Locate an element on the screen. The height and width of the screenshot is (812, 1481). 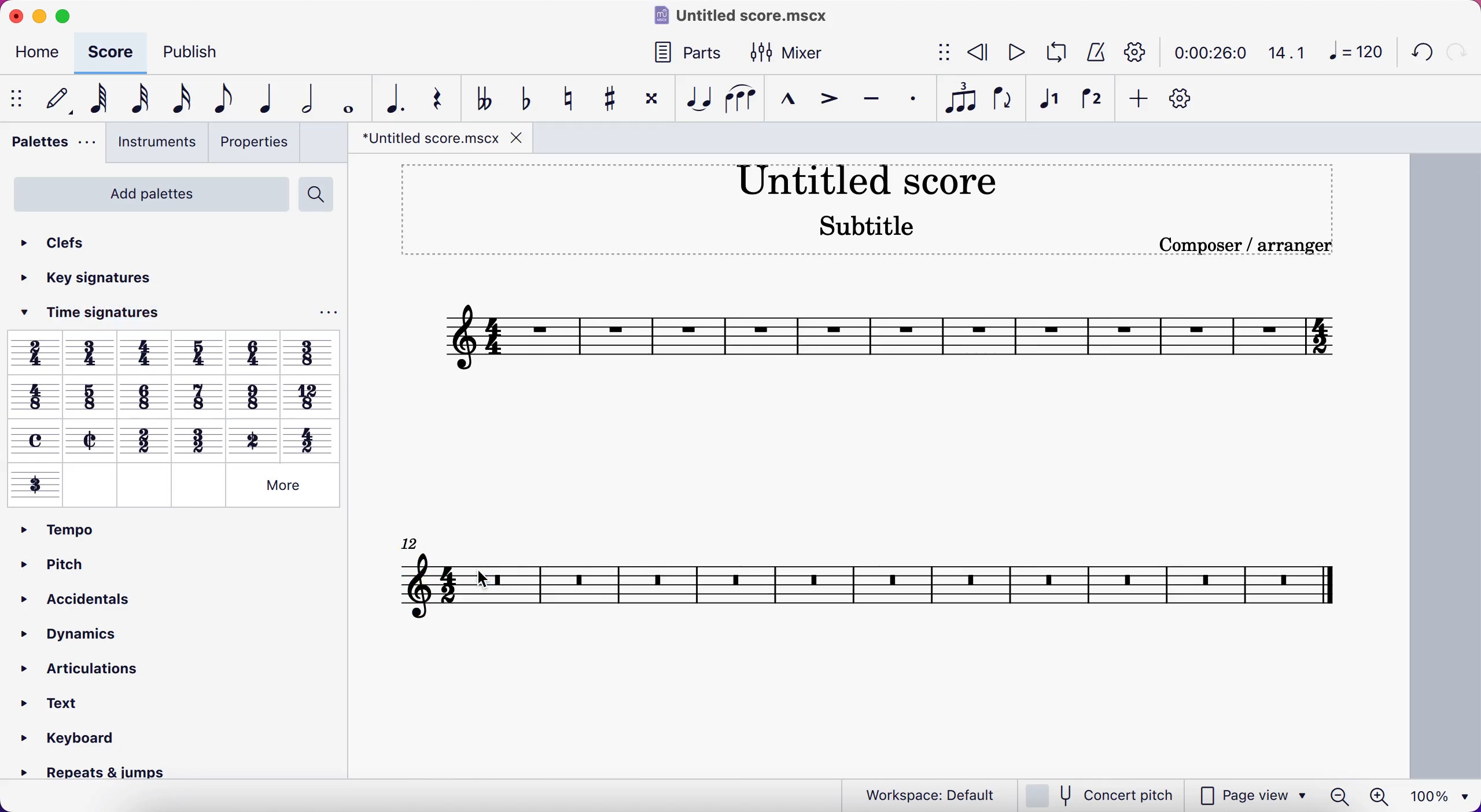
show/hide is located at coordinates (938, 54).